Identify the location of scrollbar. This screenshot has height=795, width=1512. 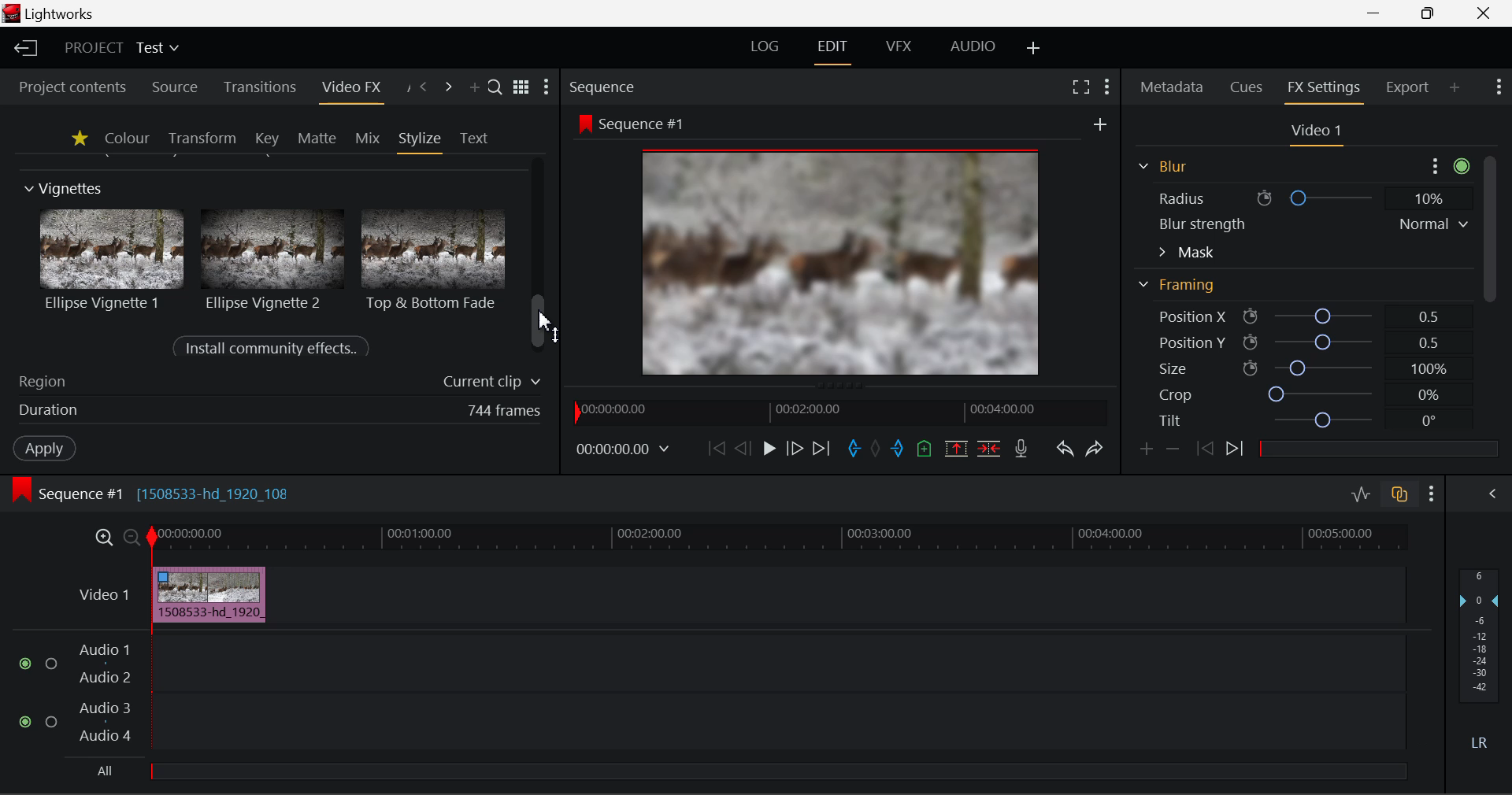
(539, 321).